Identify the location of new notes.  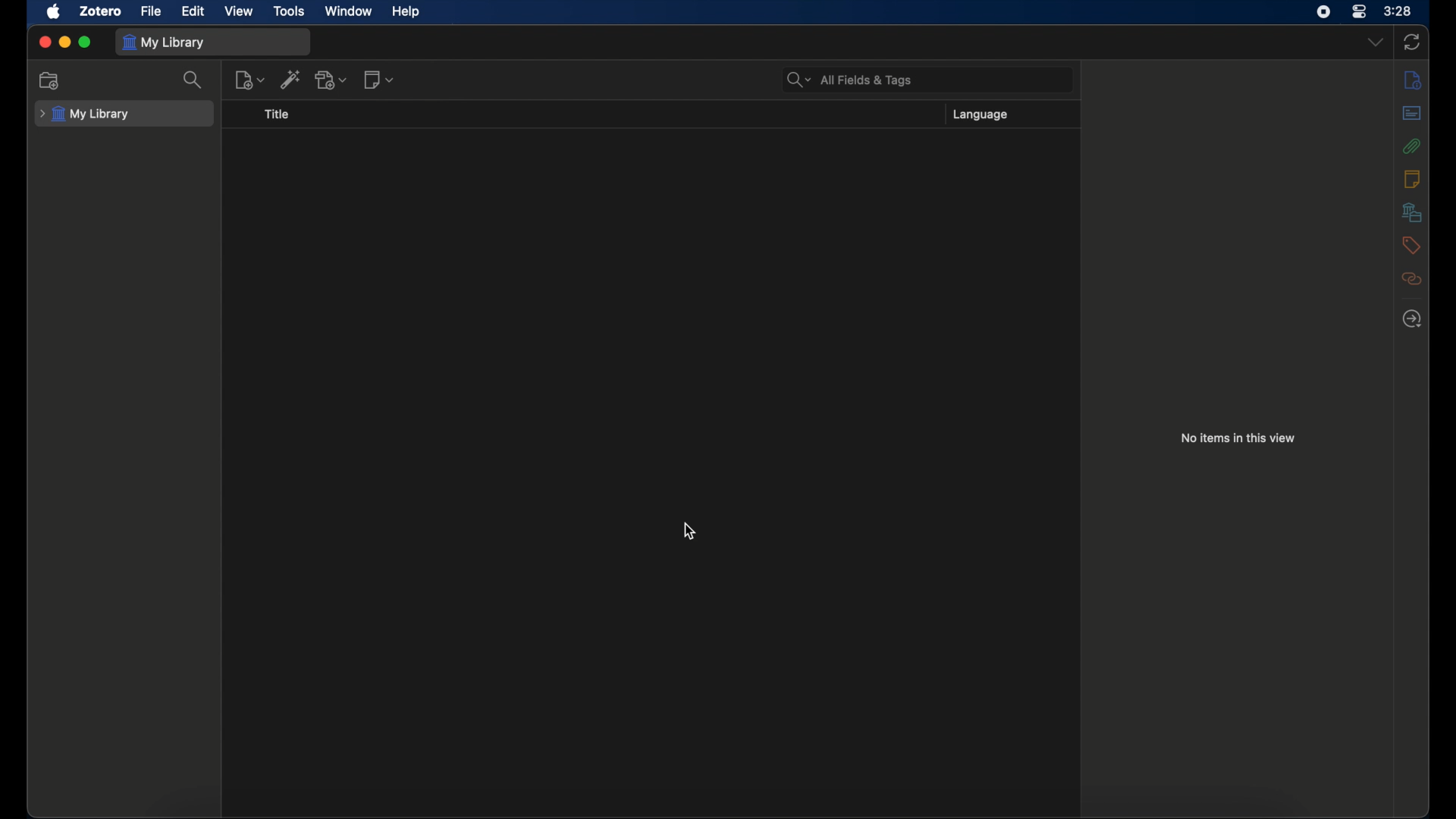
(379, 80).